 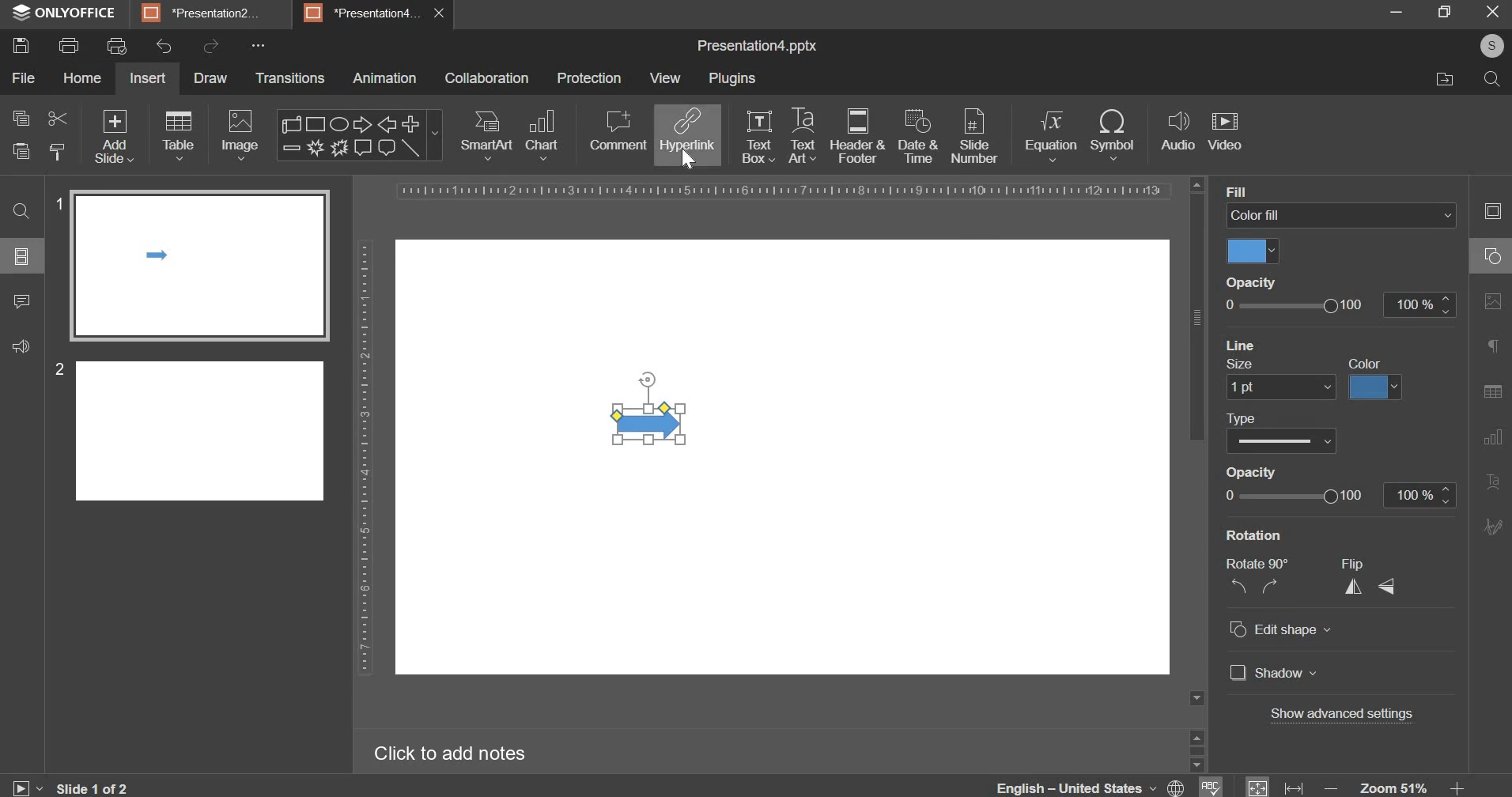 I want to click on INLYOFFICE, so click(x=70, y=13).